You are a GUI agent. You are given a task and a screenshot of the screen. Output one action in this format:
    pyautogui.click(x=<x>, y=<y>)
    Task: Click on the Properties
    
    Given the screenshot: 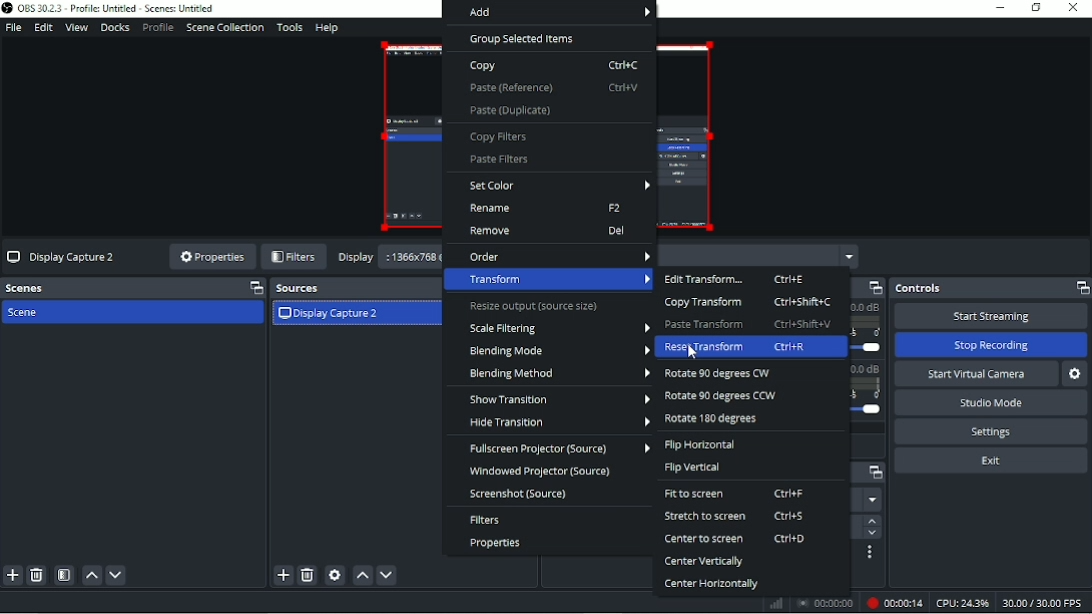 What is the action you would take?
    pyautogui.click(x=496, y=543)
    